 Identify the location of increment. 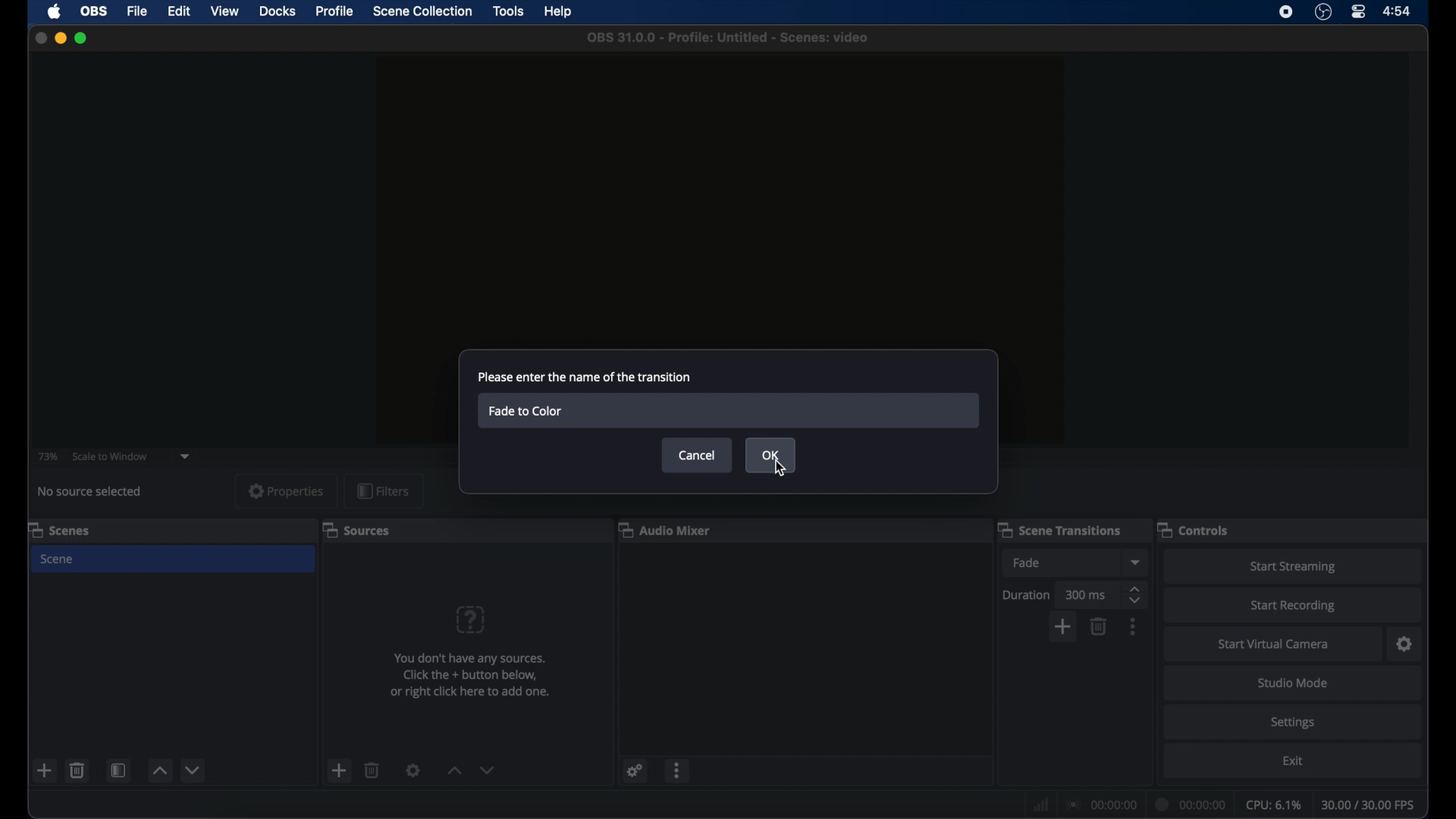
(454, 770).